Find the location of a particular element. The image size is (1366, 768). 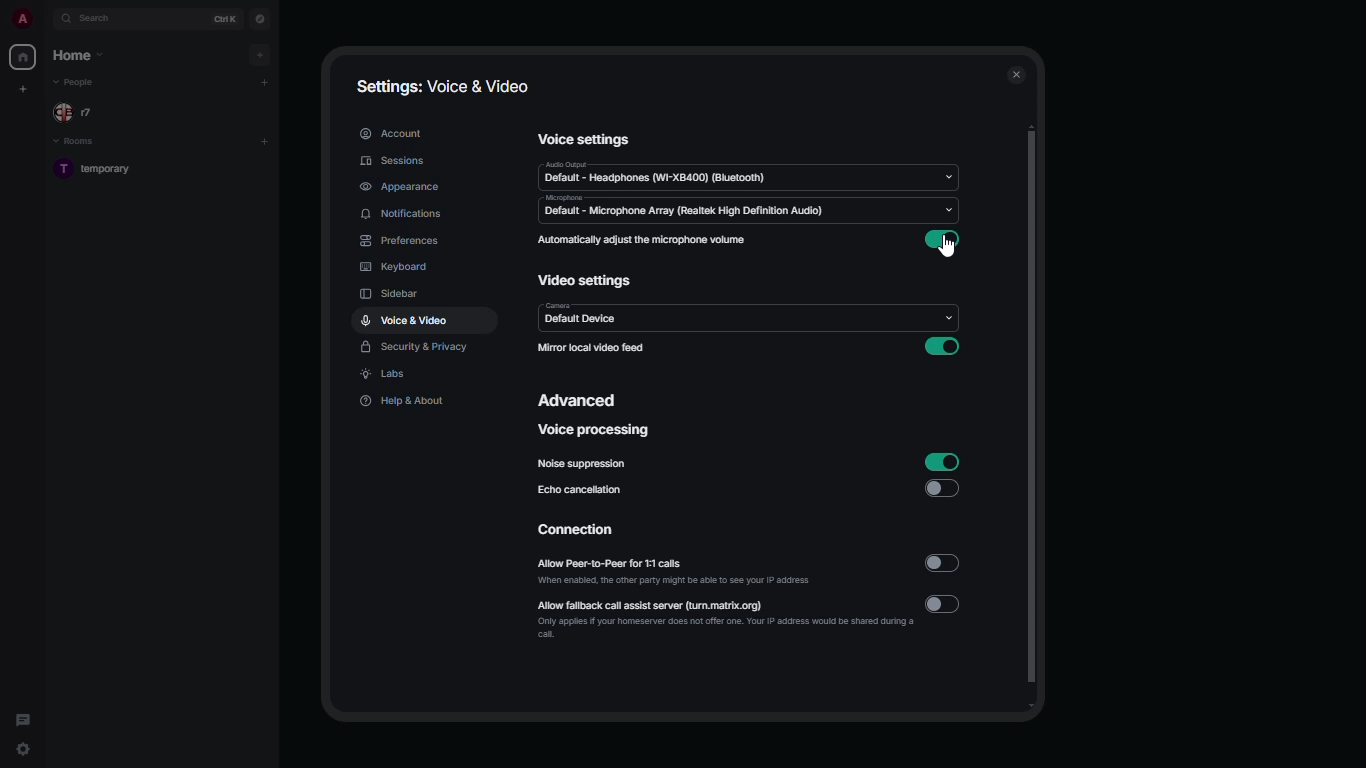

home is located at coordinates (24, 56).